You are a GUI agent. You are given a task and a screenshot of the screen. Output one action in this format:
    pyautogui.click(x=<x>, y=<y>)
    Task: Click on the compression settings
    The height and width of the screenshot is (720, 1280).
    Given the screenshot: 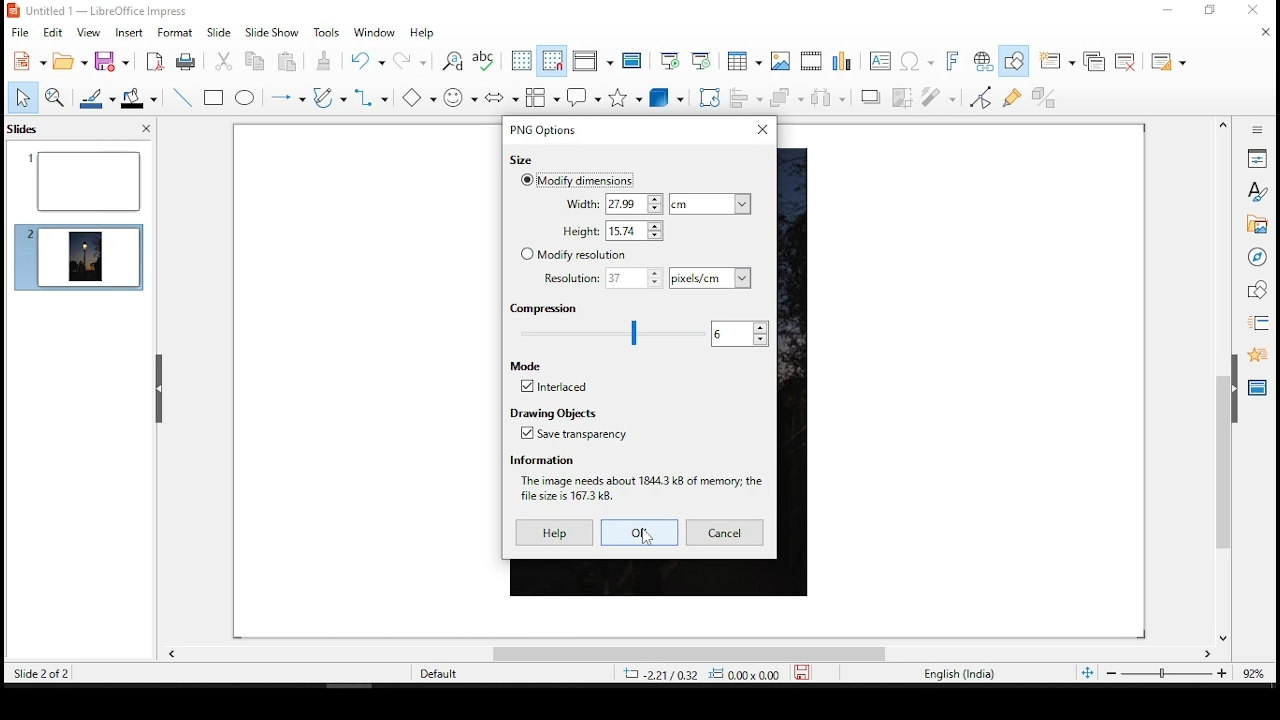 What is the action you would take?
    pyautogui.click(x=738, y=334)
    